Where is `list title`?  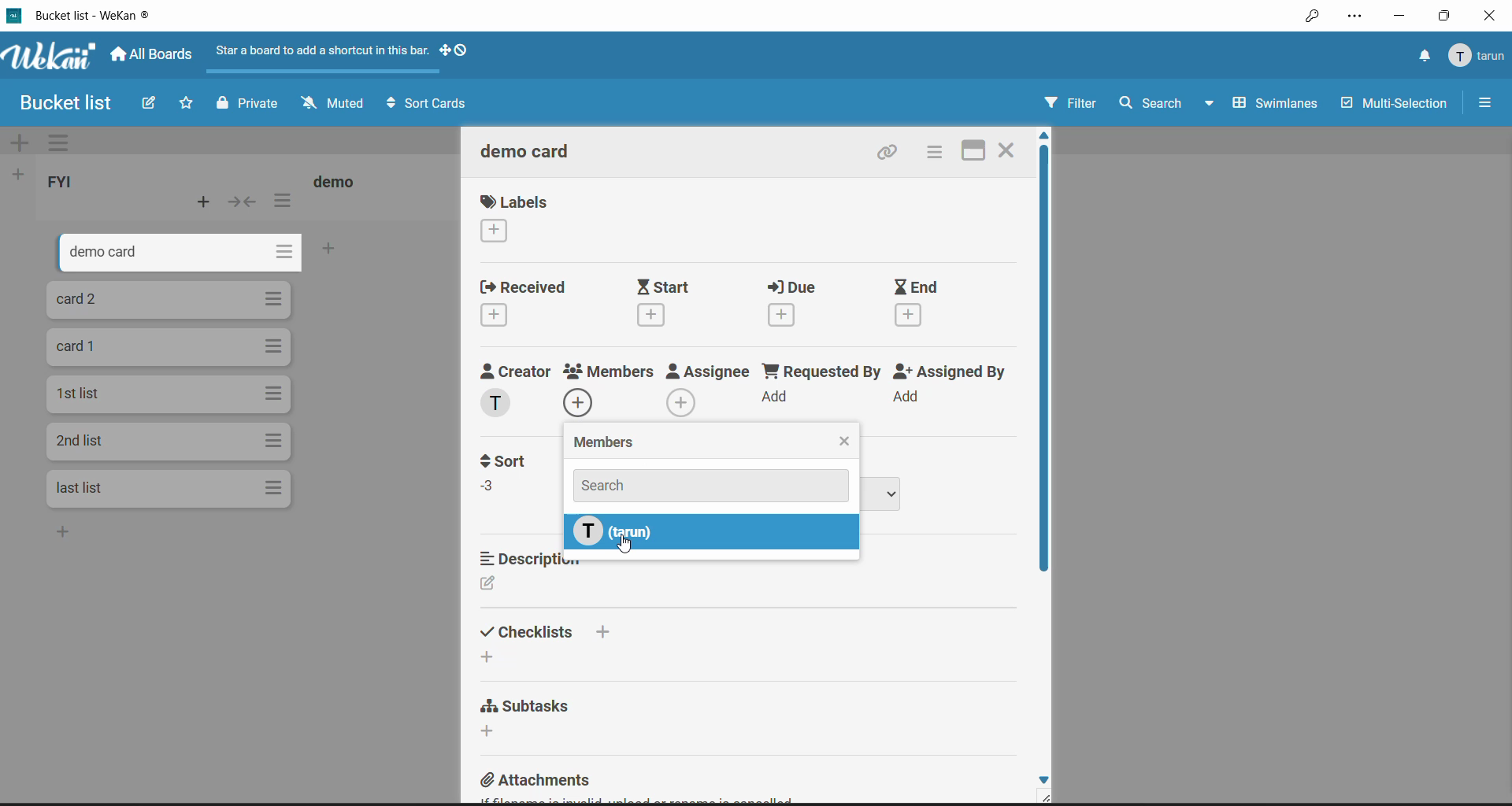 list title is located at coordinates (65, 183).